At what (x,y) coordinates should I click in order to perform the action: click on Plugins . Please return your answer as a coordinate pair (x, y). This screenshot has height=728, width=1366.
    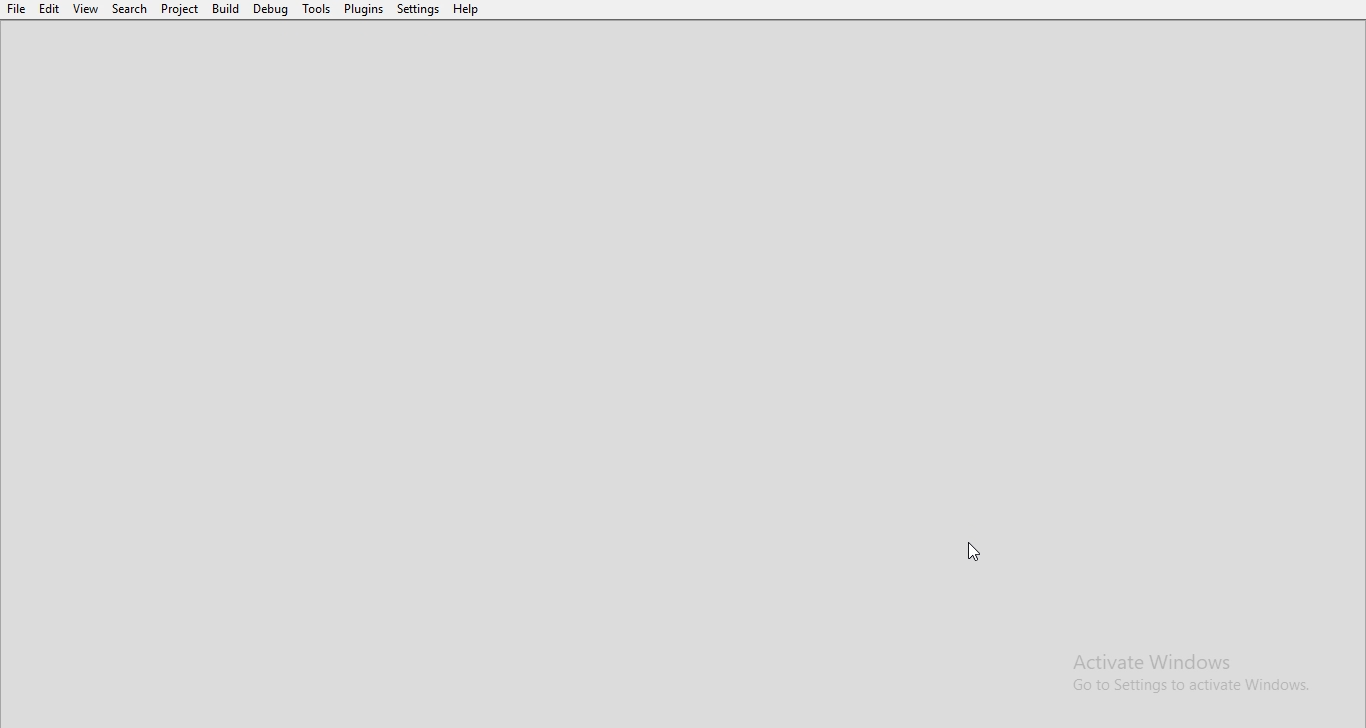
    Looking at the image, I should click on (365, 11).